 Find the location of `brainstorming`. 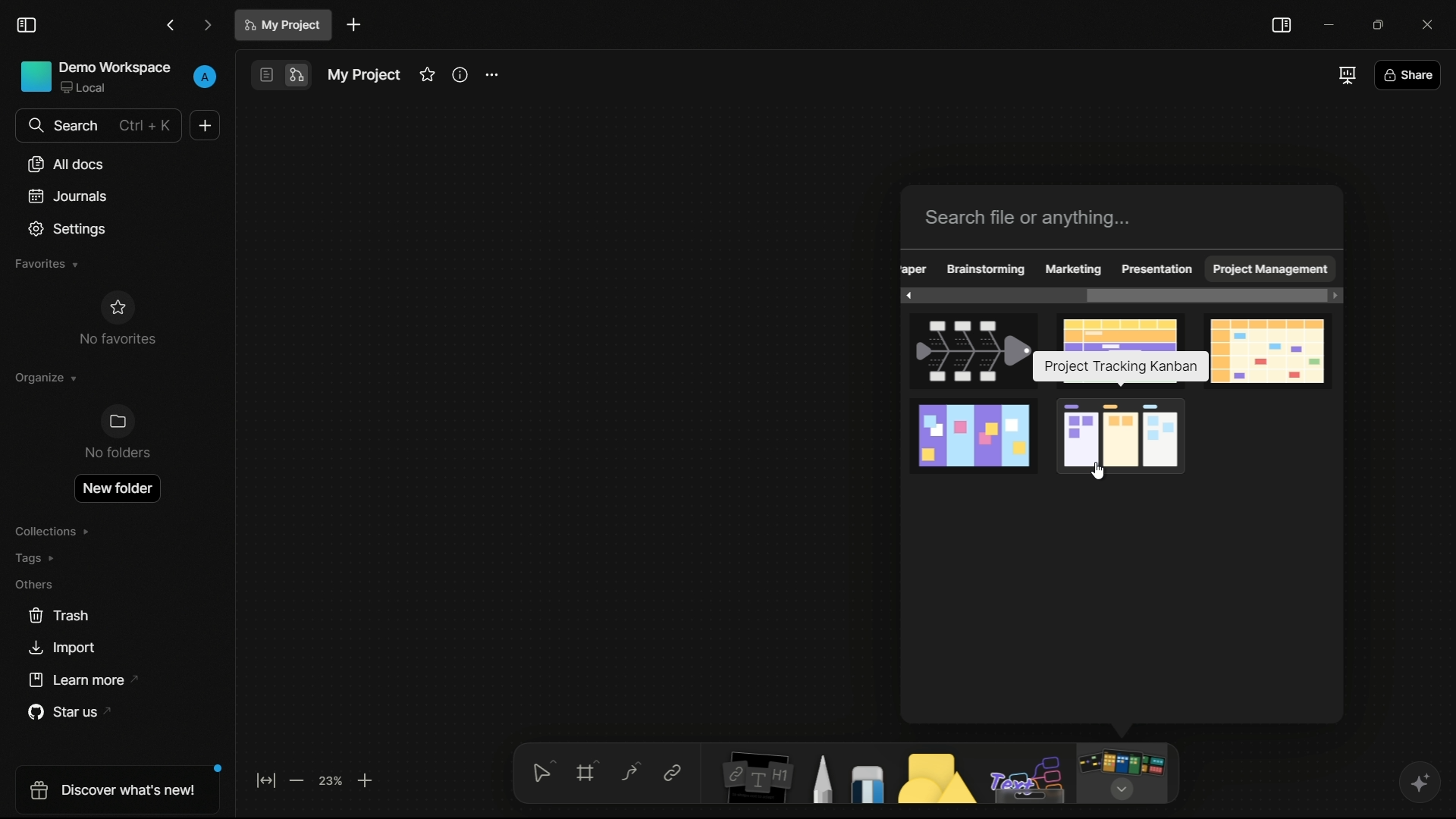

brainstorming is located at coordinates (985, 269).